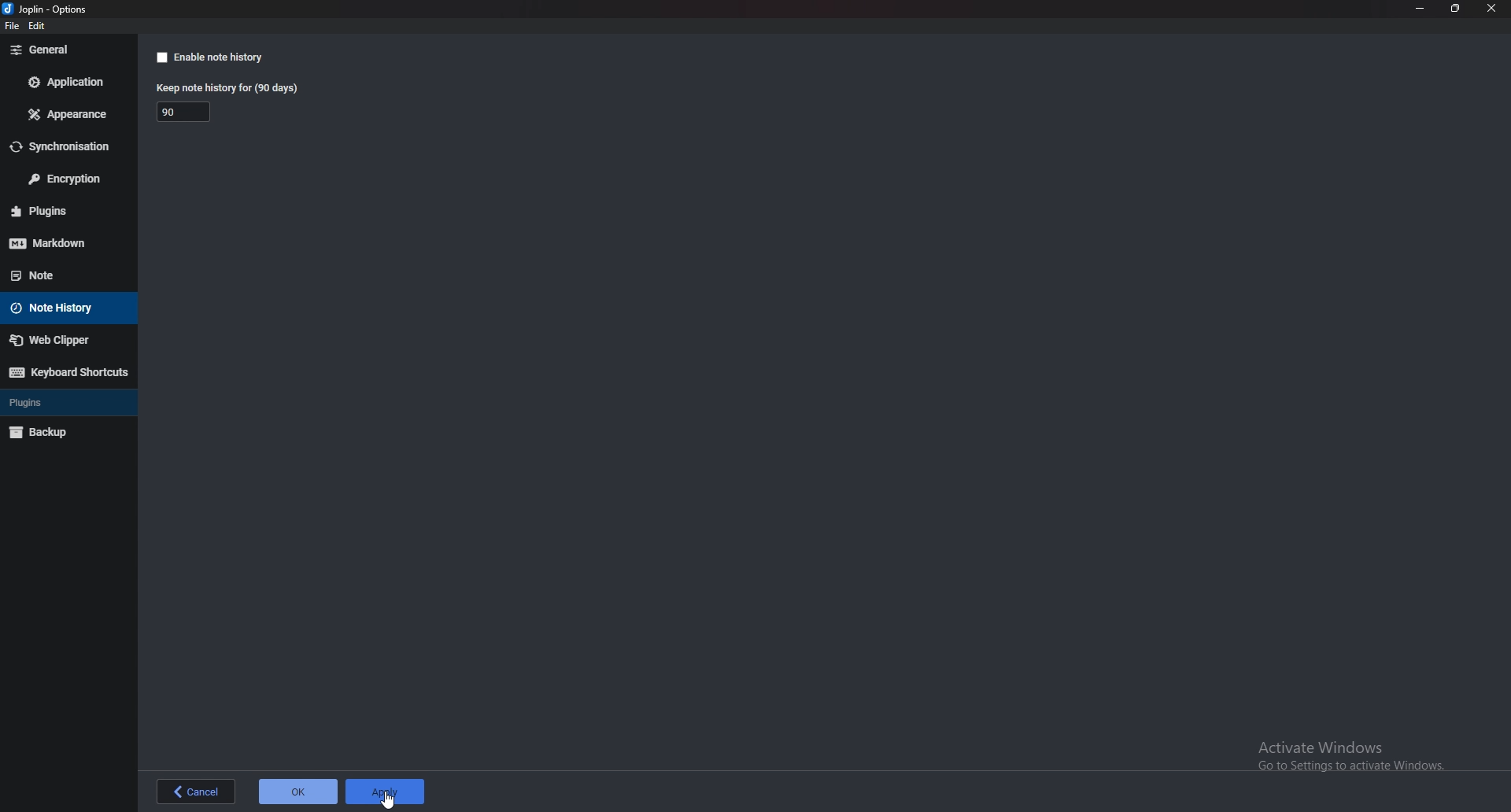 The image size is (1511, 812). What do you see at coordinates (65, 210) in the screenshot?
I see `Plugins` at bounding box center [65, 210].